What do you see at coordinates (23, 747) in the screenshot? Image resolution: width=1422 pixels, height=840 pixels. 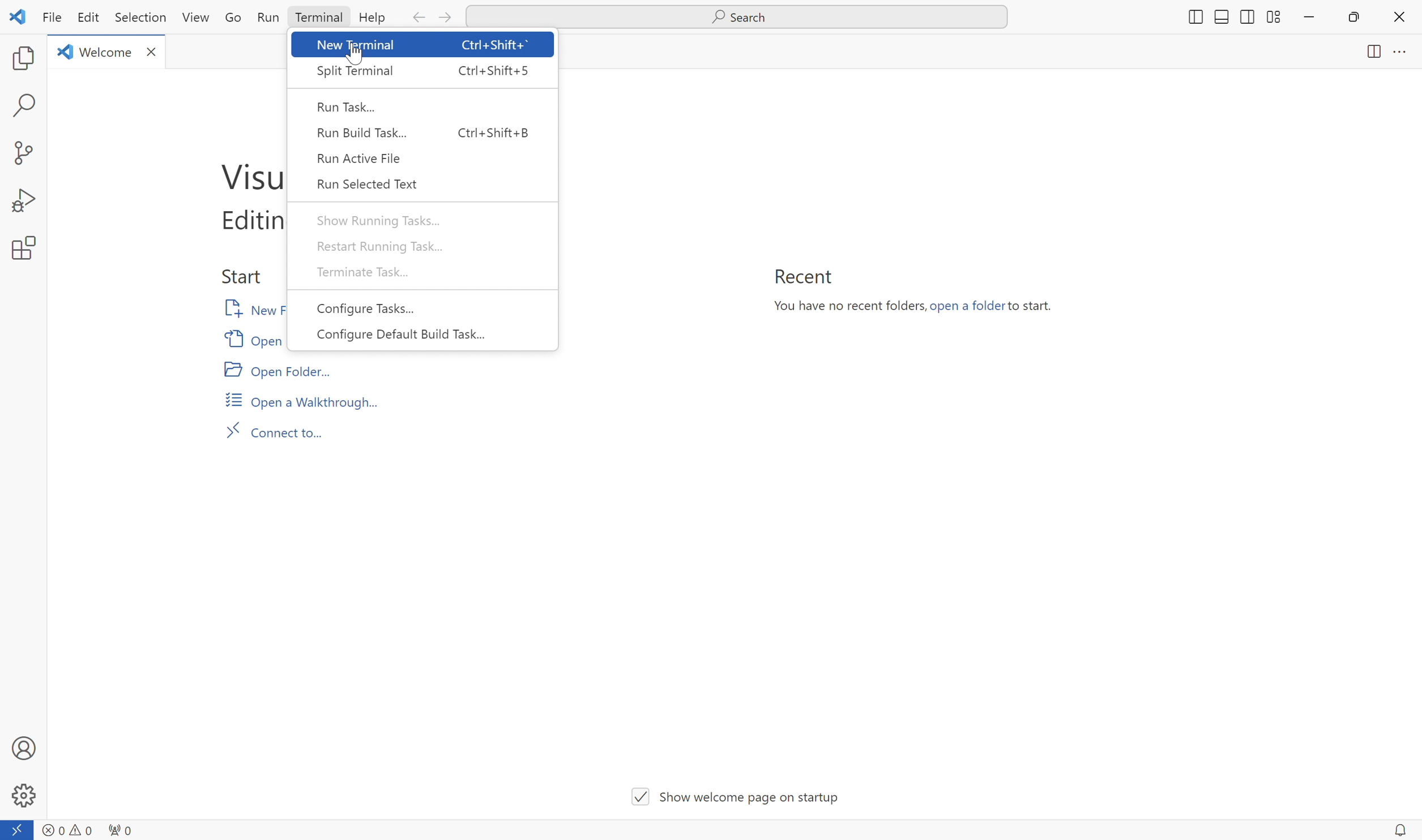 I see `Account` at bounding box center [23, 747].